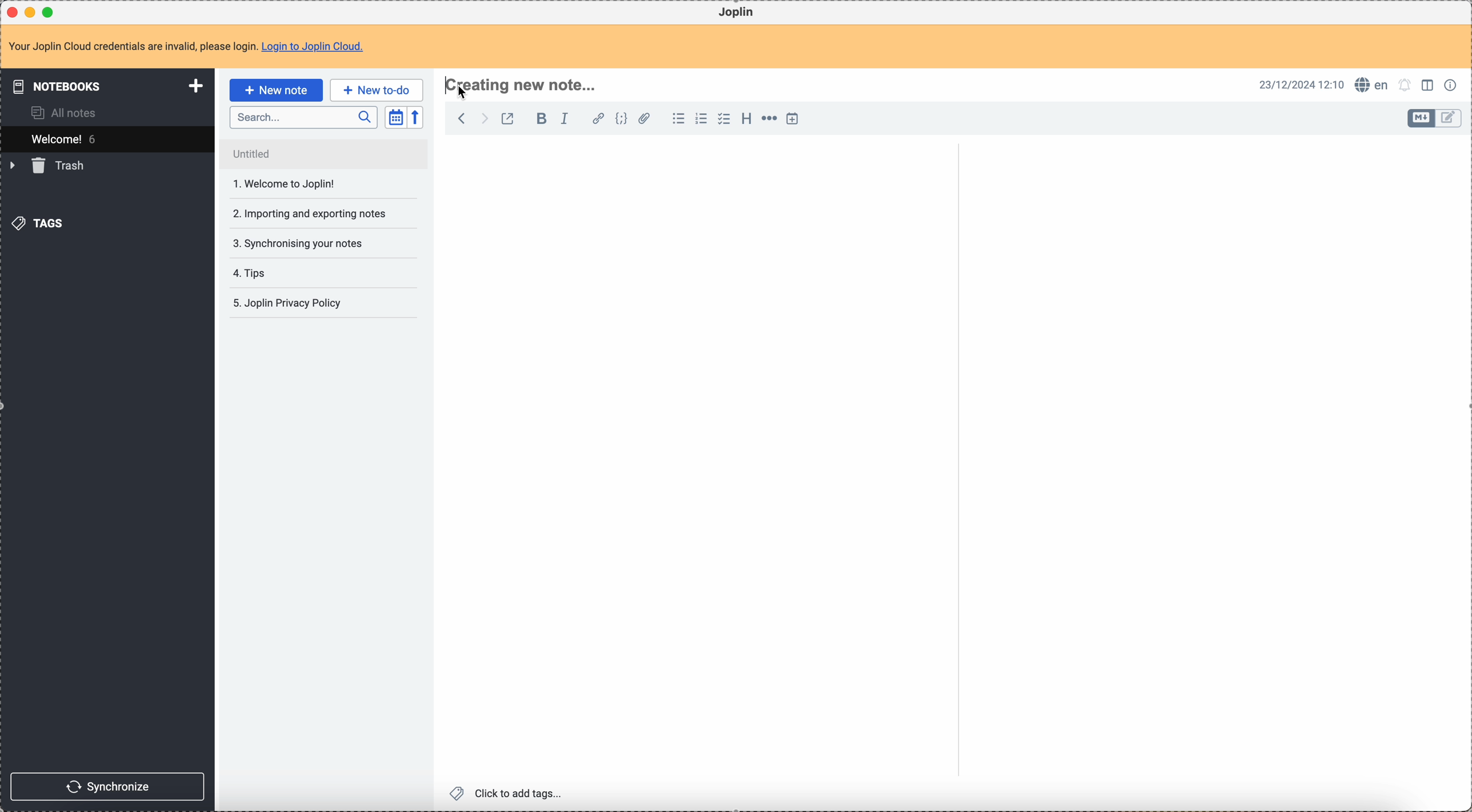  What do you see at coordinates (106, 139) in the screenshot?
I see `welcome` at bounding box center [106, 139].